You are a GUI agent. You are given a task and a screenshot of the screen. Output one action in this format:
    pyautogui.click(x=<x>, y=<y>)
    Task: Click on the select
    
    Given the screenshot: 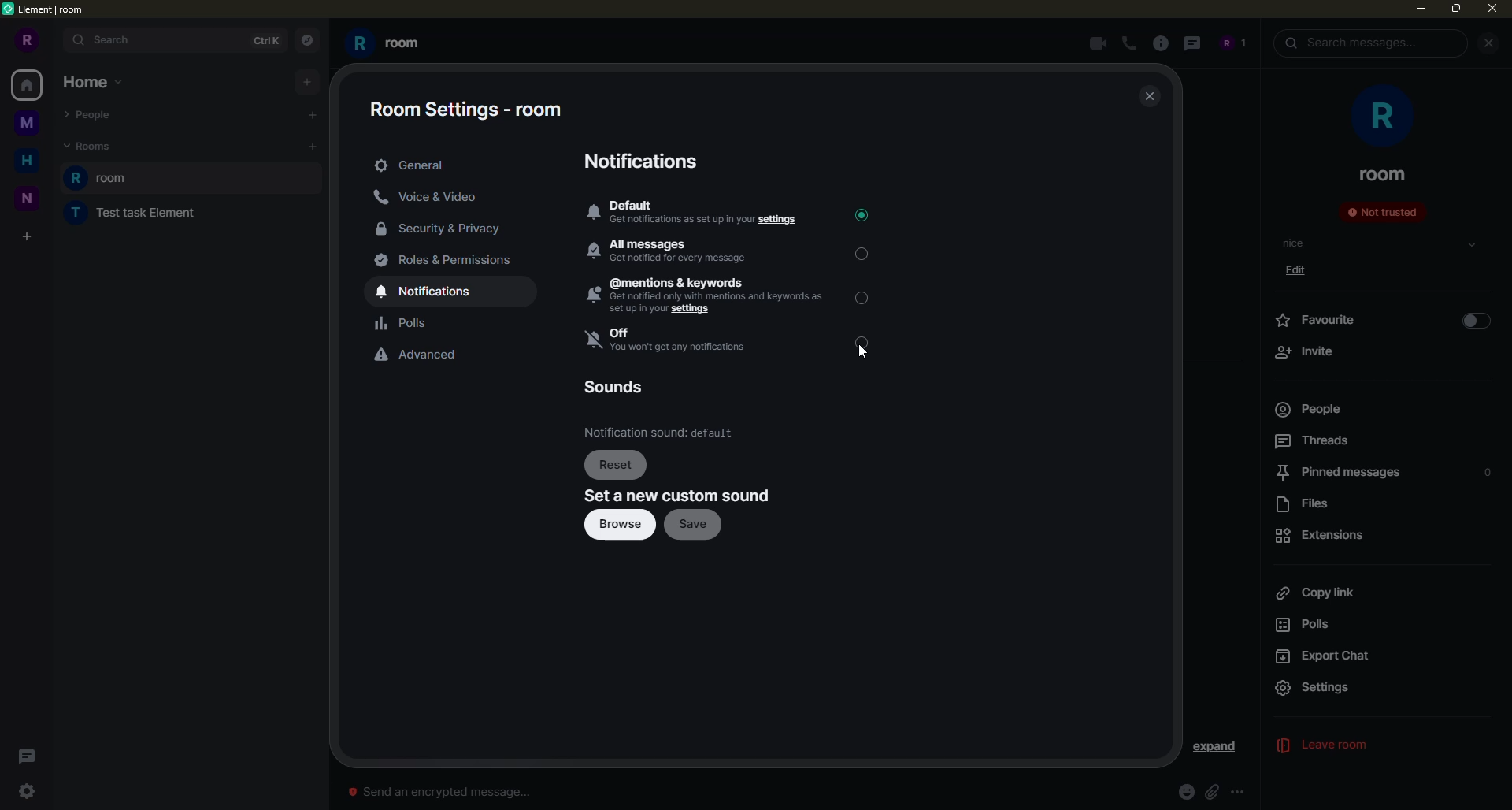 What is the action you would take?
    pyautogui.click(x=1472, y=245)
    